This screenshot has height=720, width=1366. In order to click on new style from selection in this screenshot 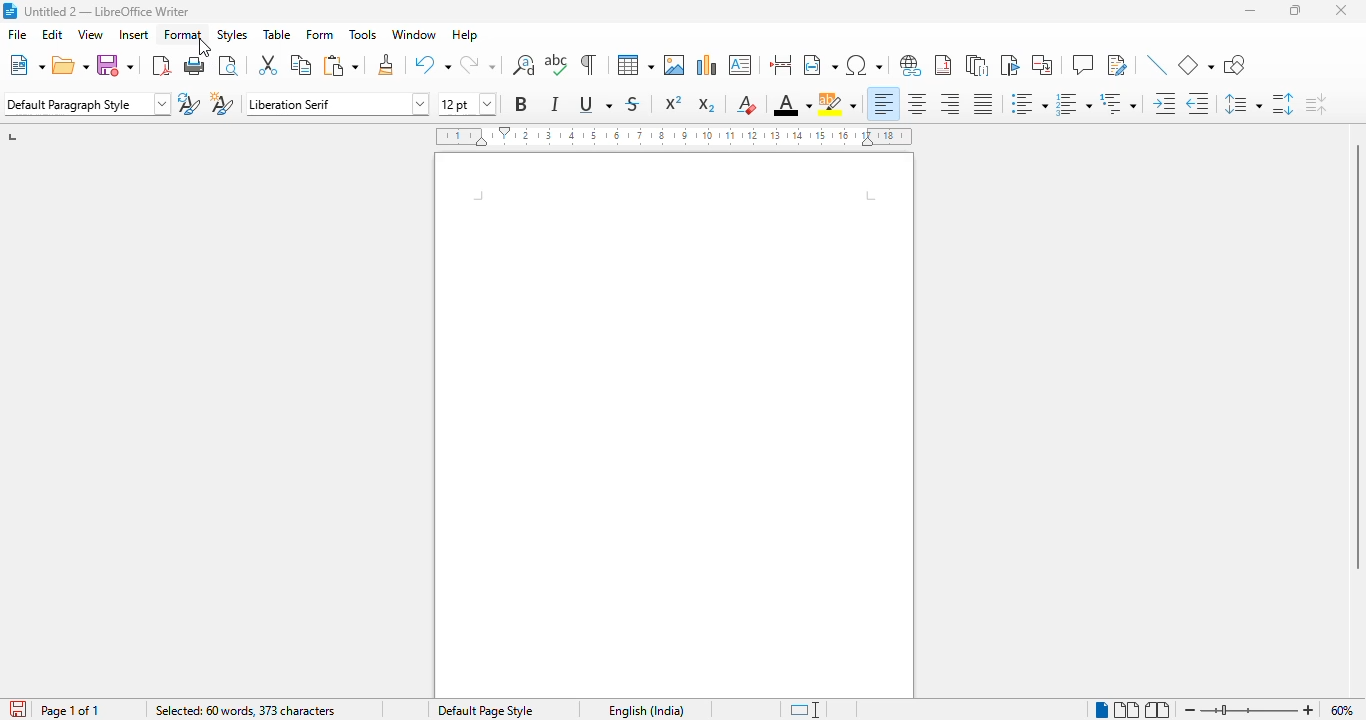, I will do `click(220, 104)`.